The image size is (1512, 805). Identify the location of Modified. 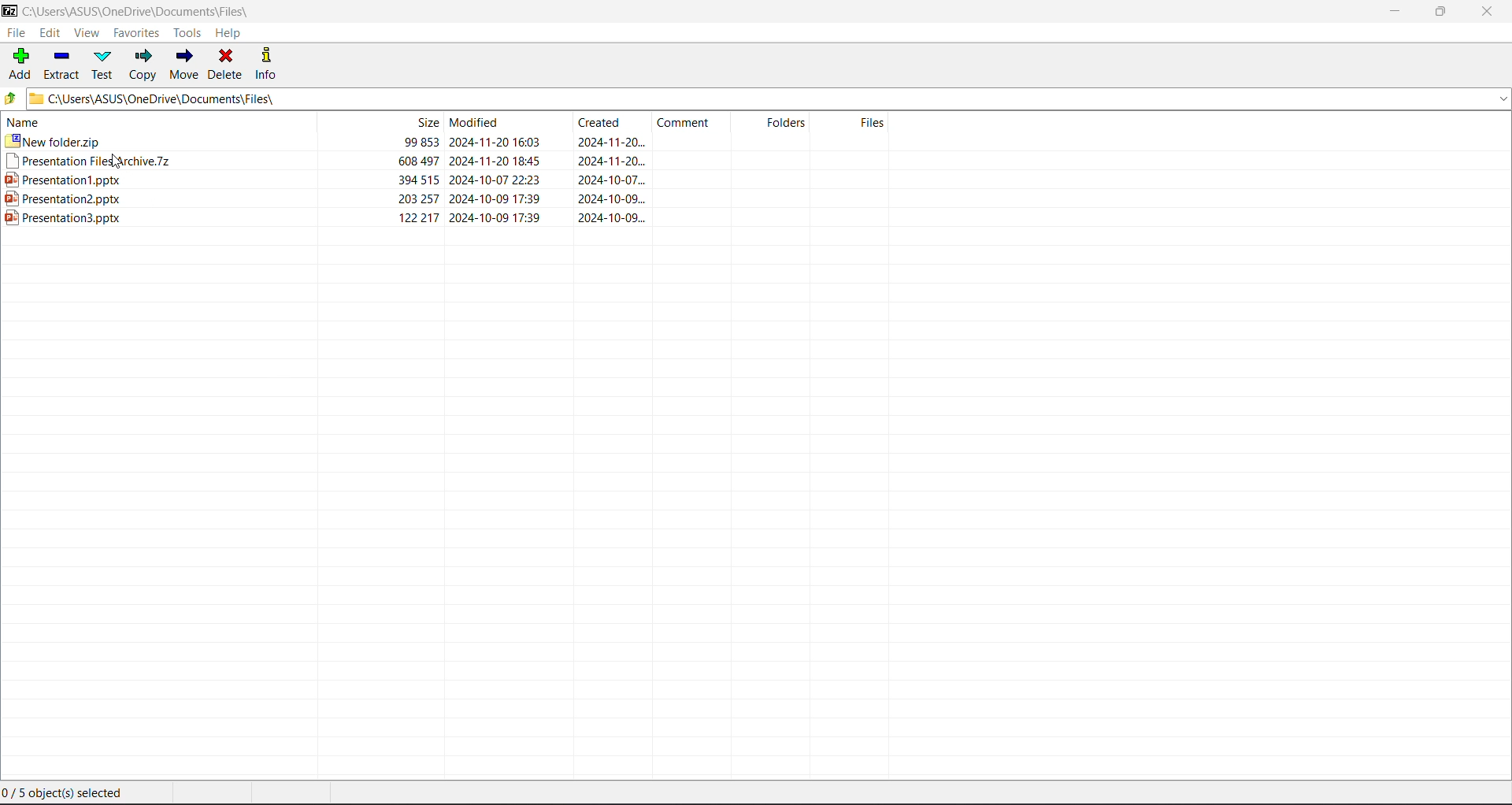
(504, 123).